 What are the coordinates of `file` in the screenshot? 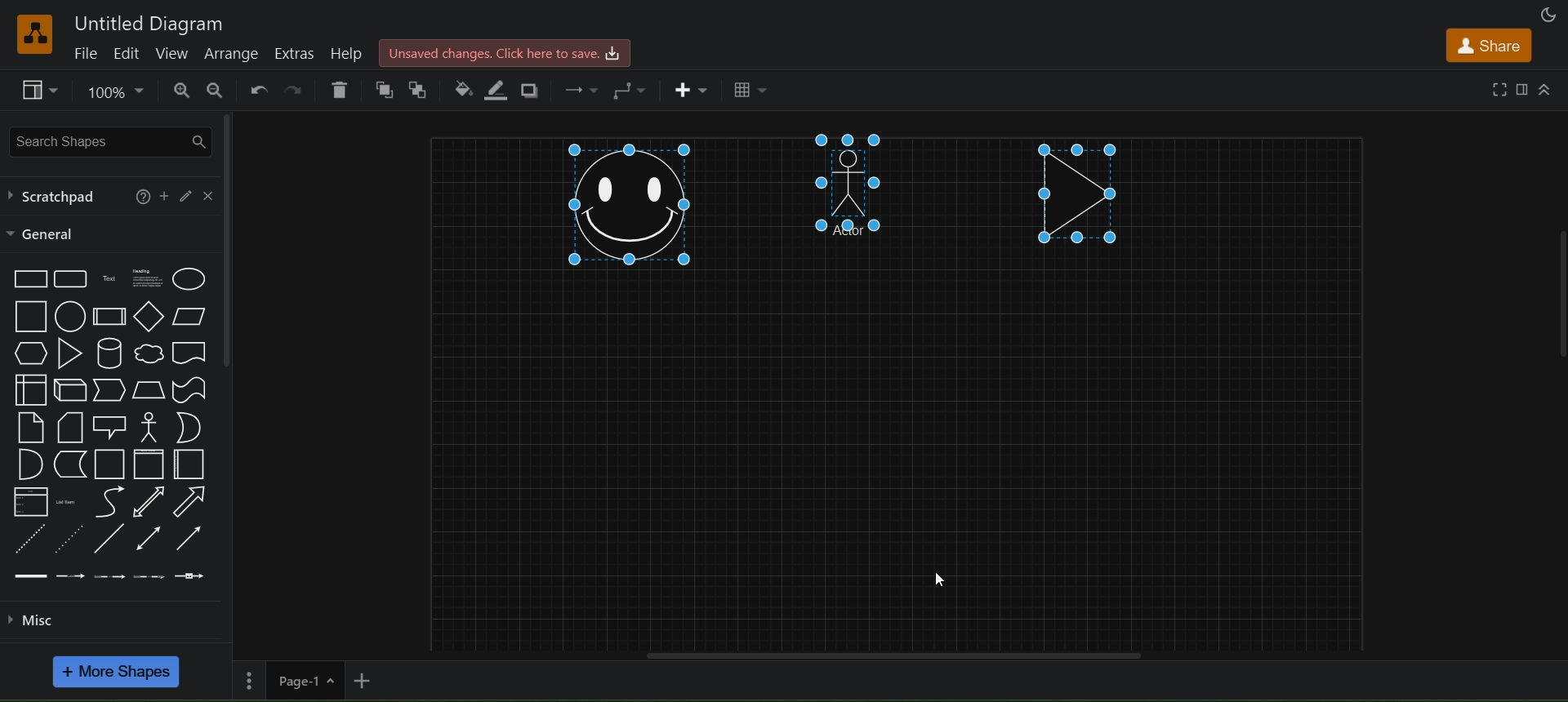 It's located at (84, 53).